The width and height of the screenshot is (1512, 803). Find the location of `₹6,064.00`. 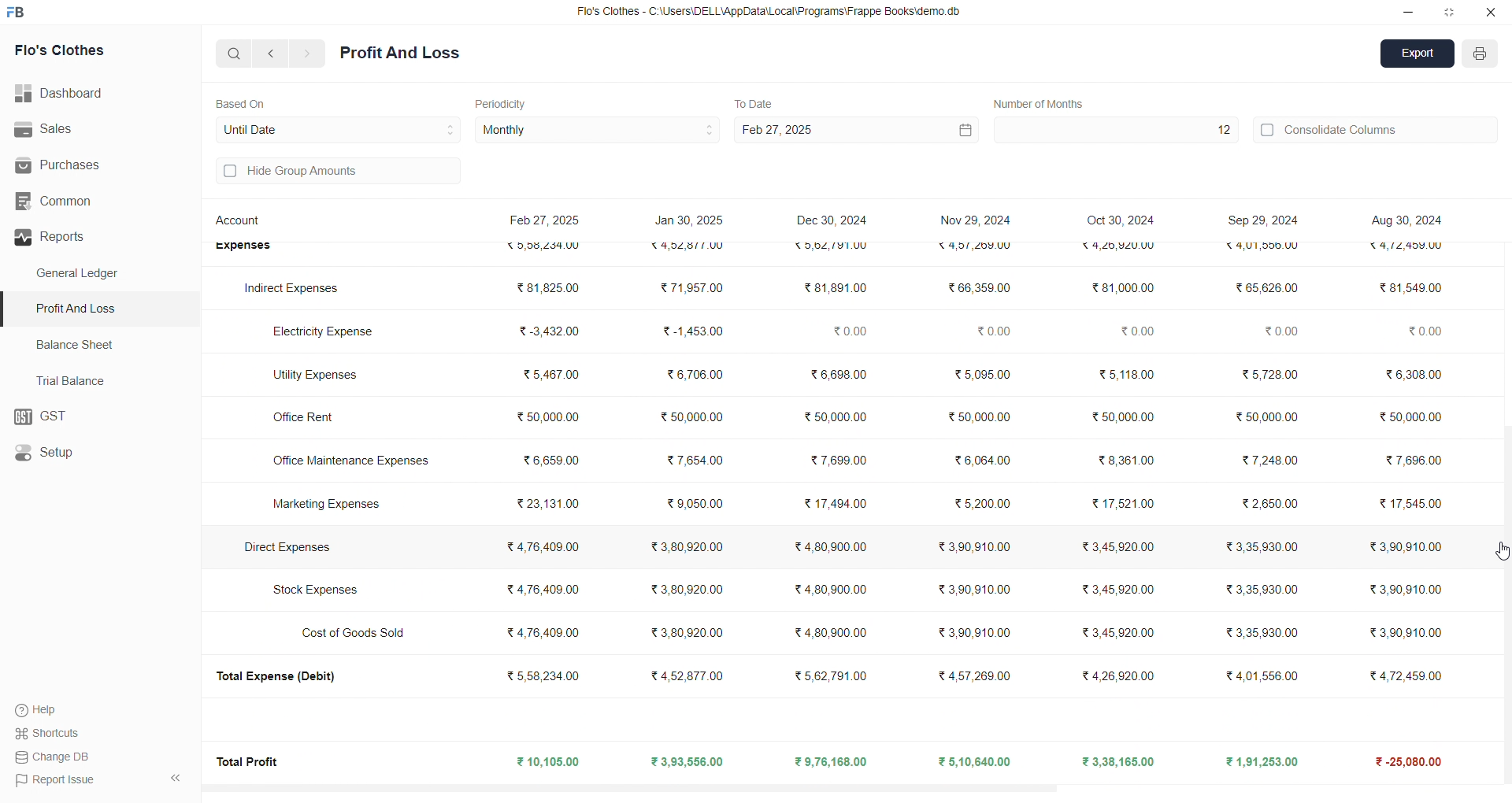

₹6,064.00 is located at coordinates (981, 461).